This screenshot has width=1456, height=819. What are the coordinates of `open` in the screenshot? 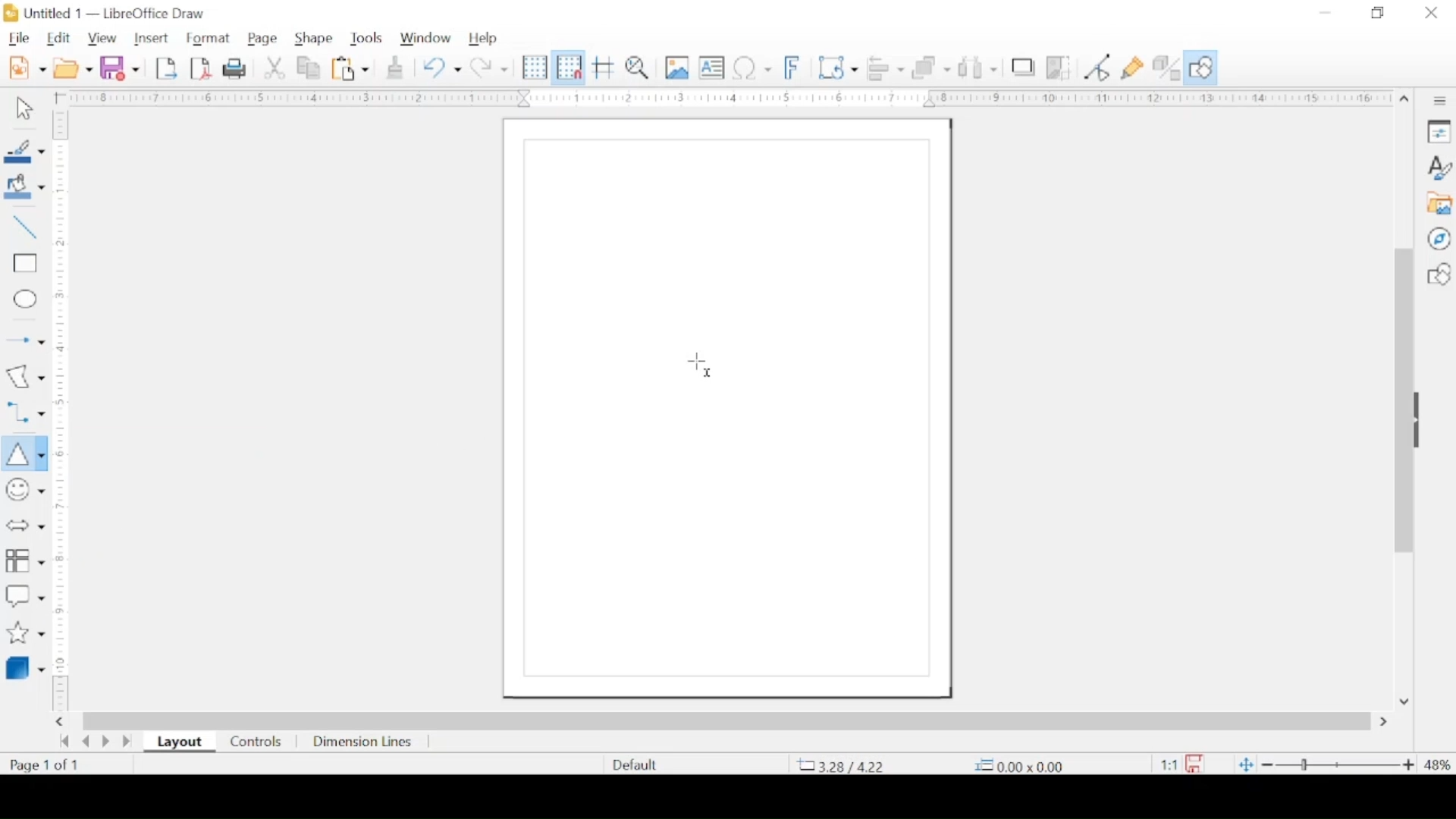 It's located at (73, 68).